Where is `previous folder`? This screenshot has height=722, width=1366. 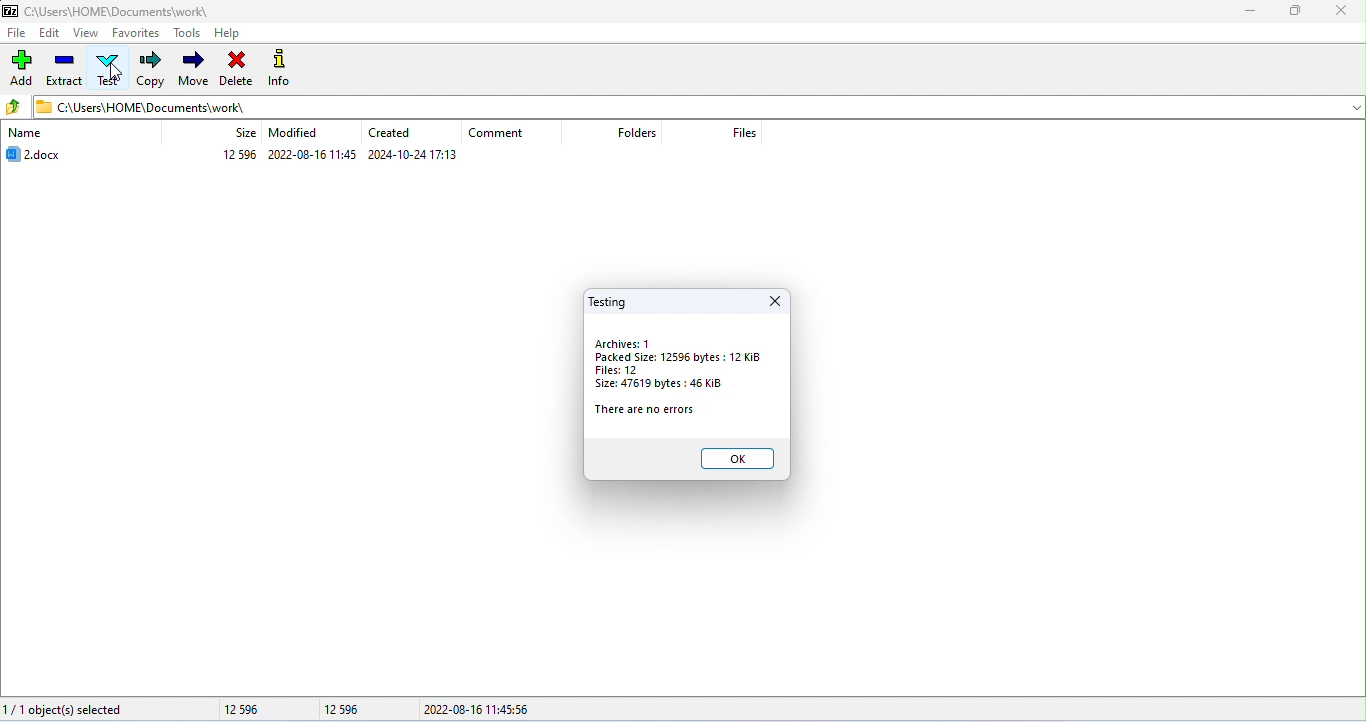
previous folder is located at coordinates (15, 107).